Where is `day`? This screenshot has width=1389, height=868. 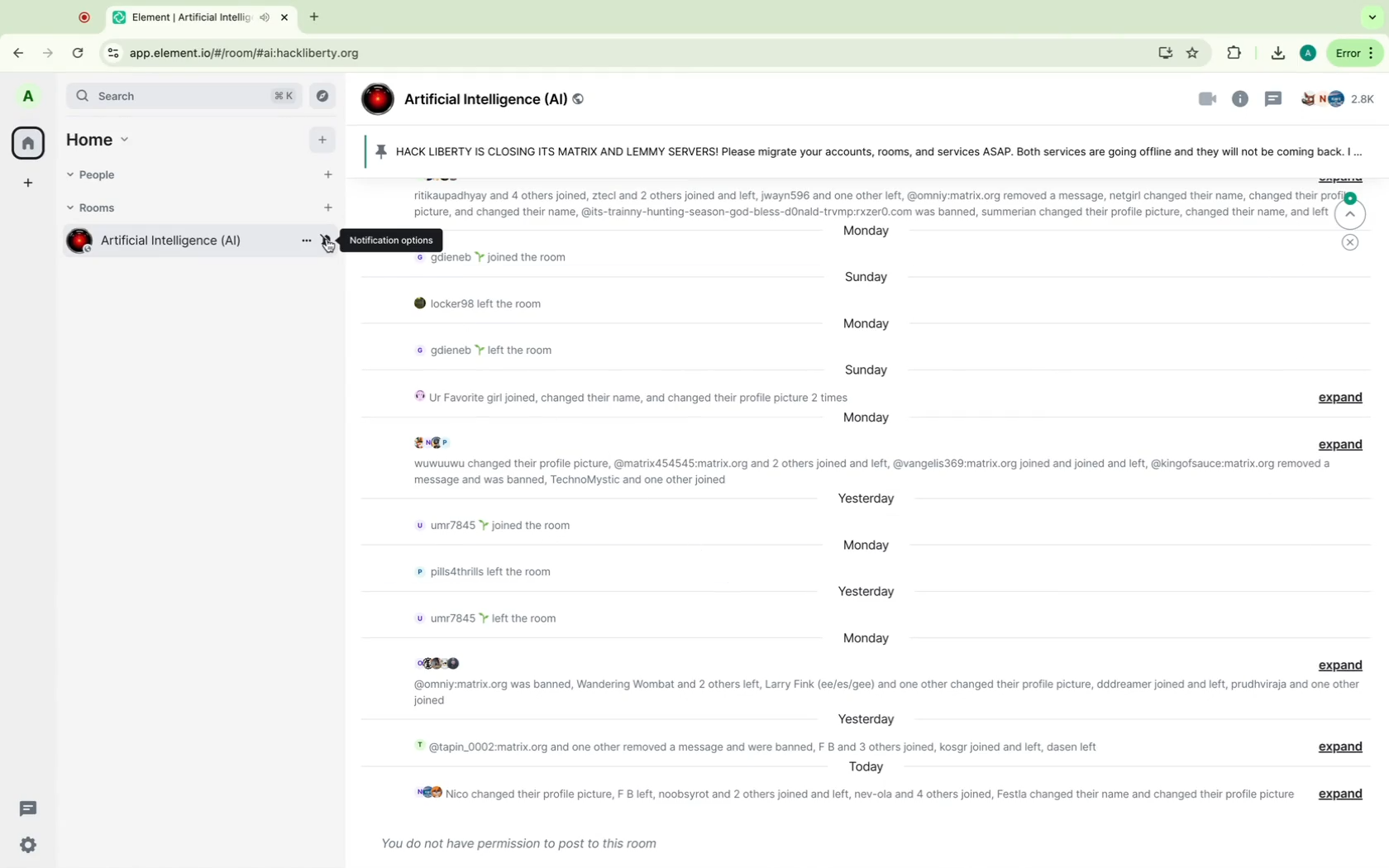
day is located at coordinates (867, 594).